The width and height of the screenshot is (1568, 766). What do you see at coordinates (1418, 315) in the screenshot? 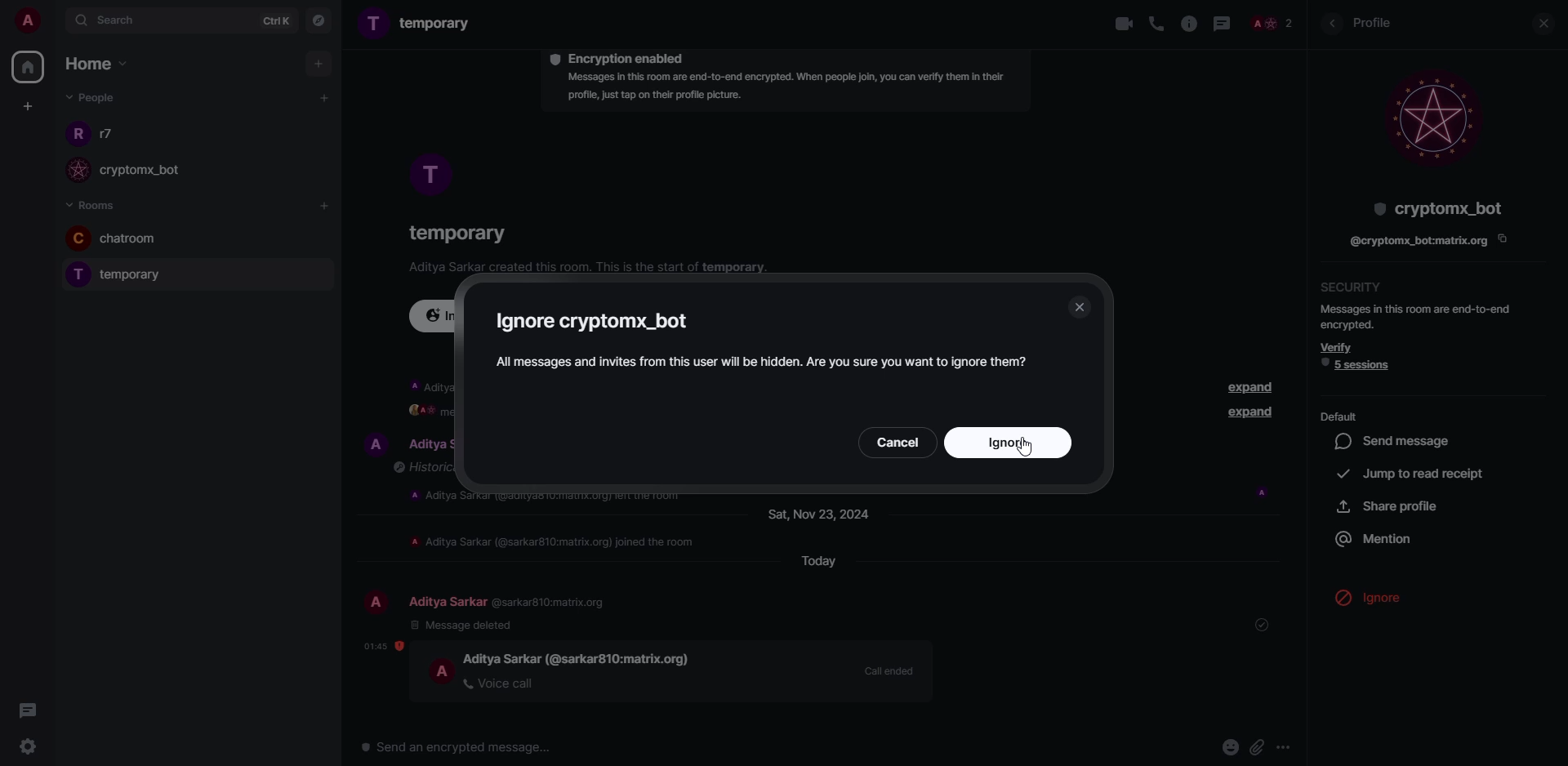
I see `info` at bounding box center [1418, 315].